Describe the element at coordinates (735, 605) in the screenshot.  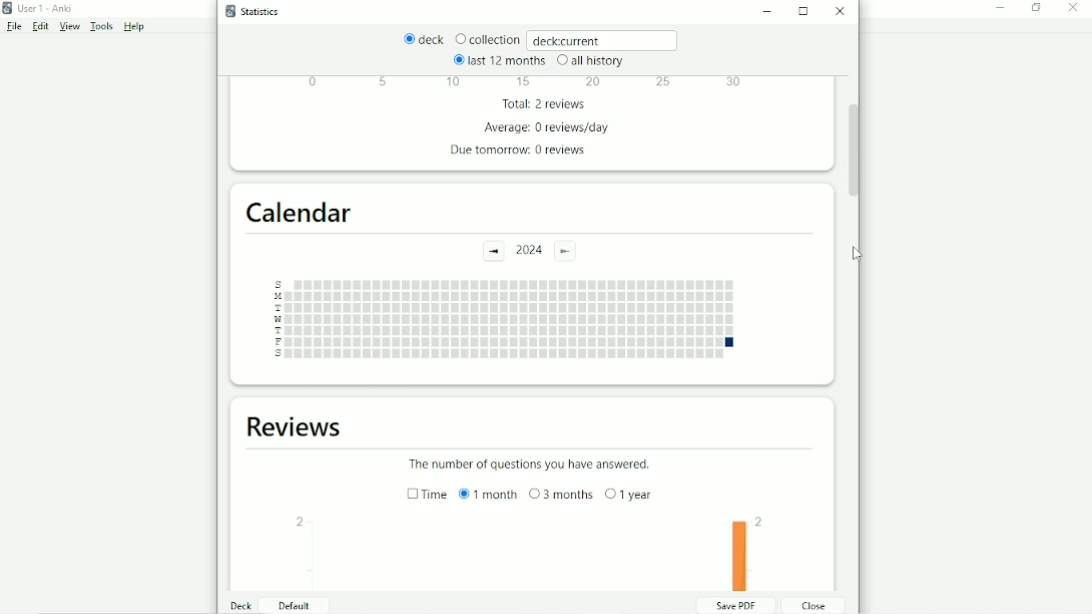
I see `Save PDF` at that location.